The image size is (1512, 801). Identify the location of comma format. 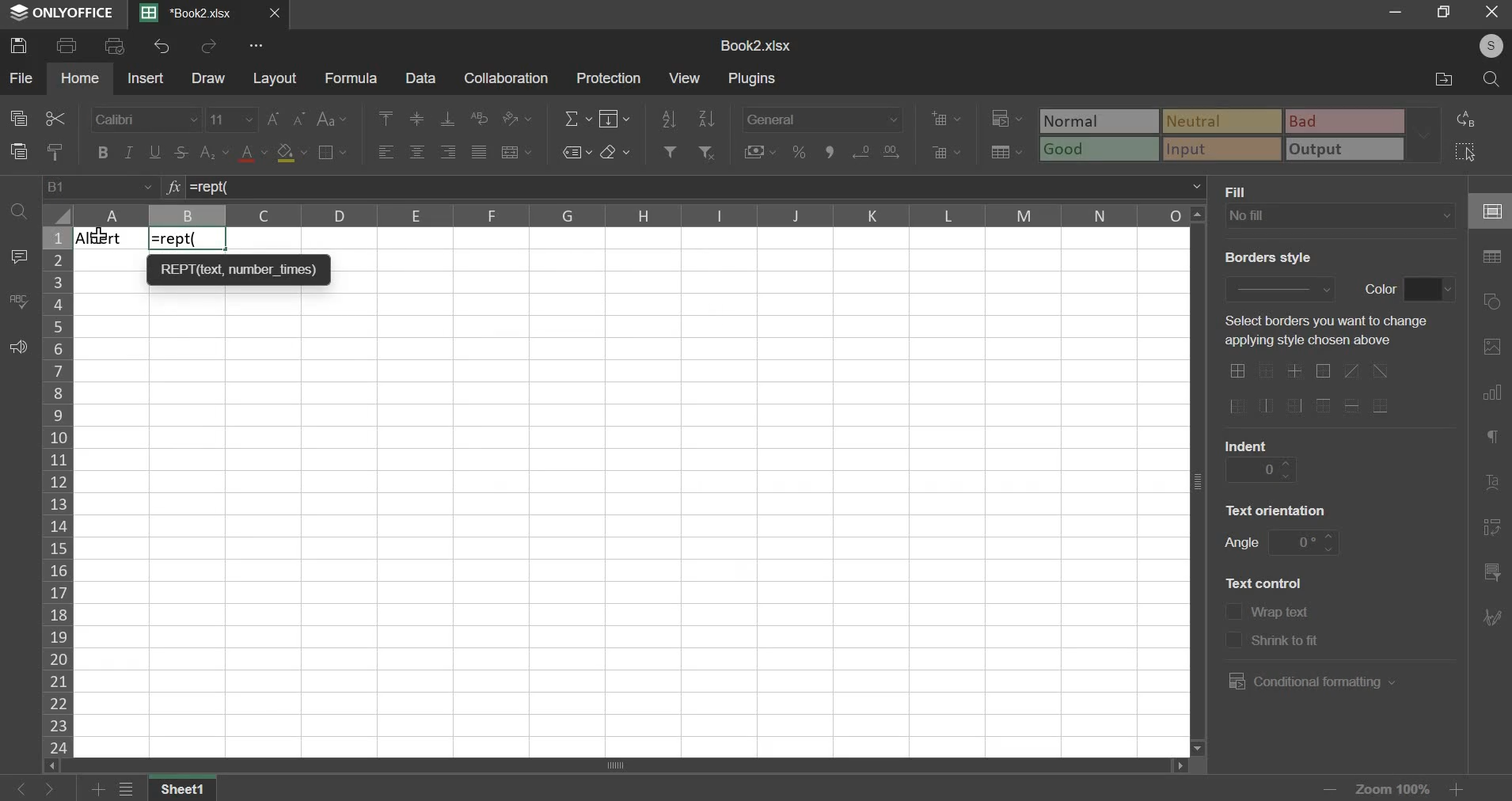
(829, 150).